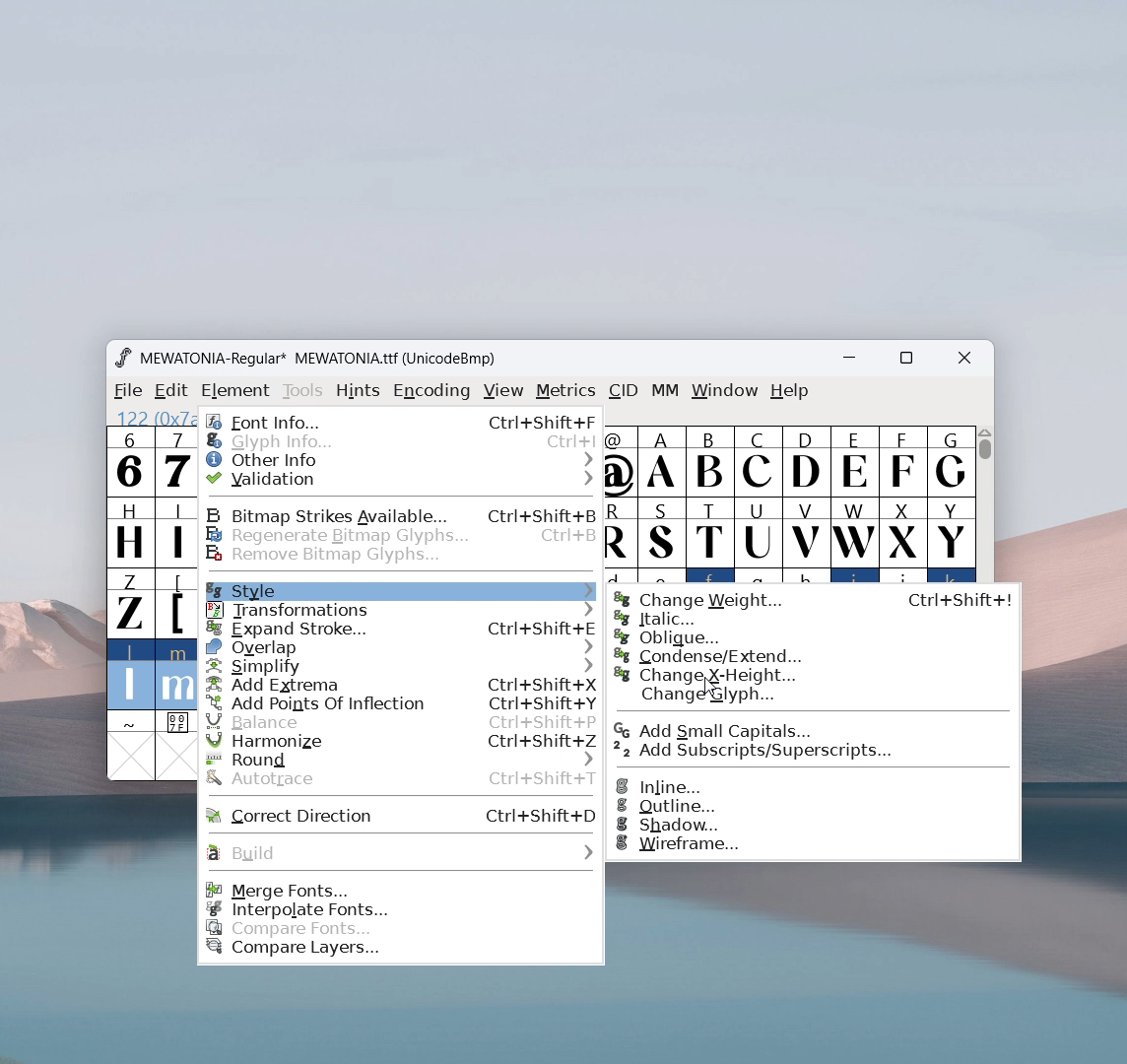 The width and height of the screenshot is (1127, 1064). Describe the element at coordinates (951, 461) in the screenshot. I see `G` at that location.